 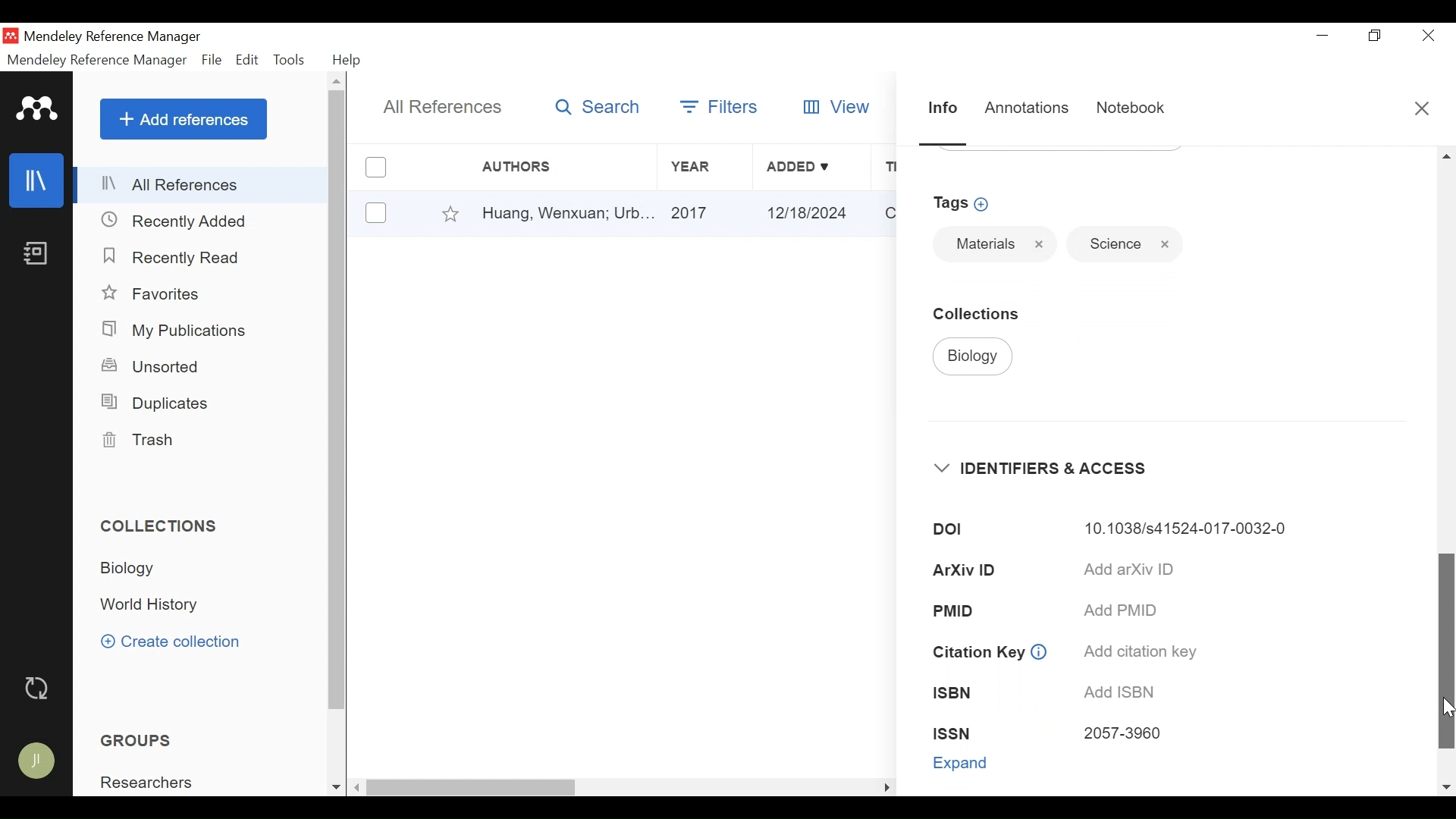 I want to click on All References, so click(x=444, y=108).